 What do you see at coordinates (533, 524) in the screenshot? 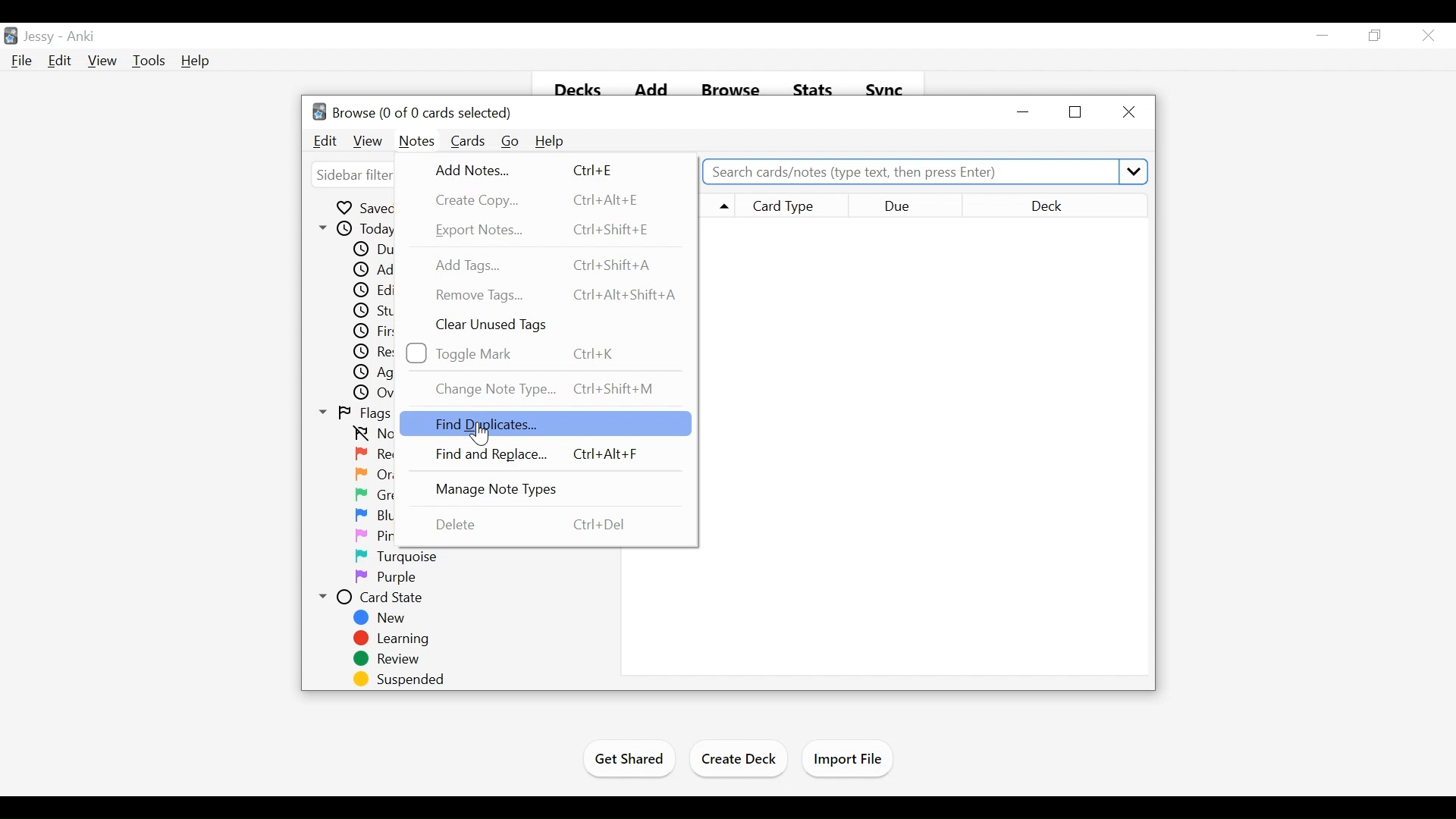
I see `Delete` at bounding box center [533, 524].